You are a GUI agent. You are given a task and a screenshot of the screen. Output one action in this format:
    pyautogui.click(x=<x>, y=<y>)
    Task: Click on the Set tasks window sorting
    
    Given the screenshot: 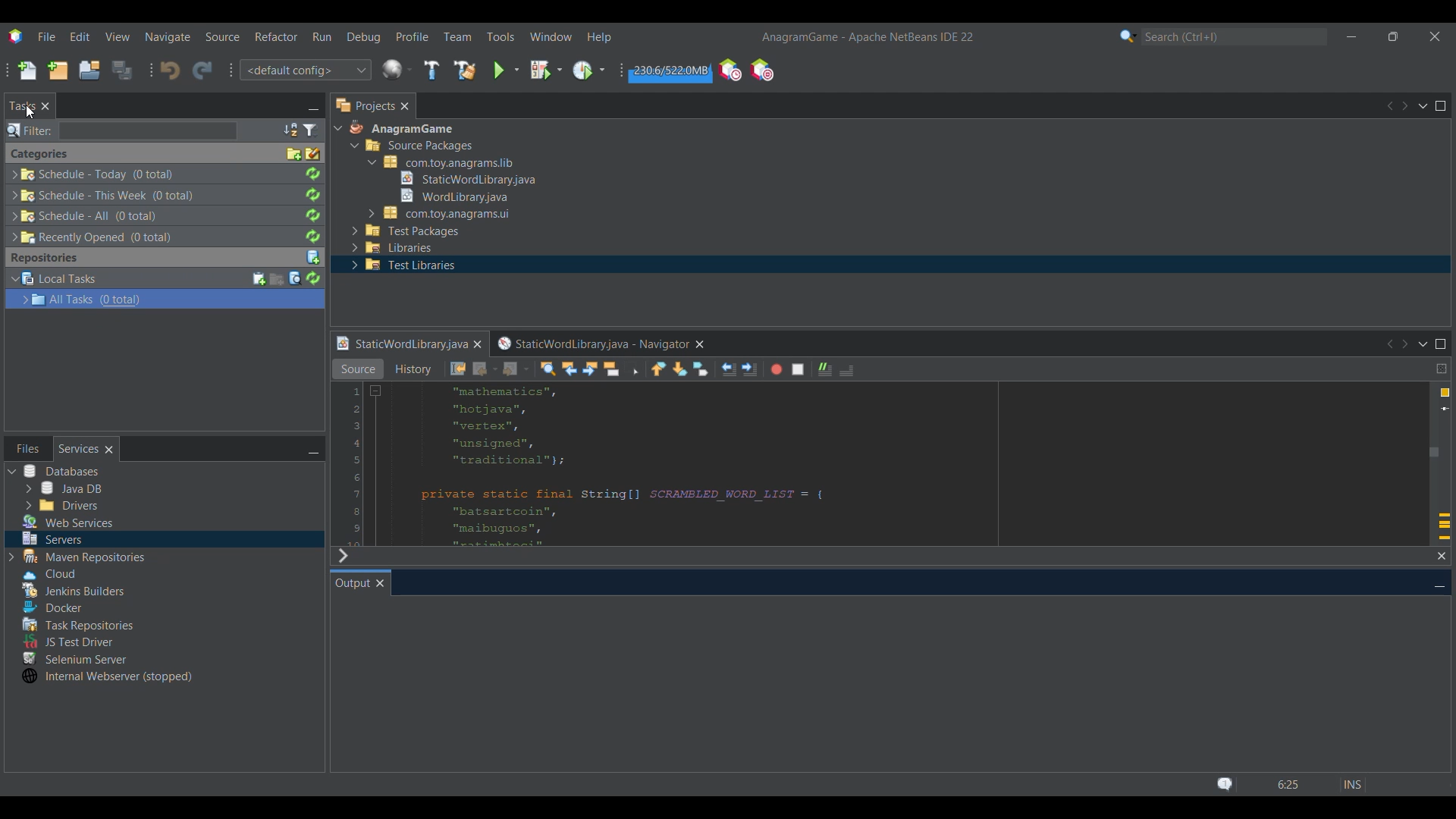 What is the action you would take?
    pyautogui.click(x=290, y=130)
    